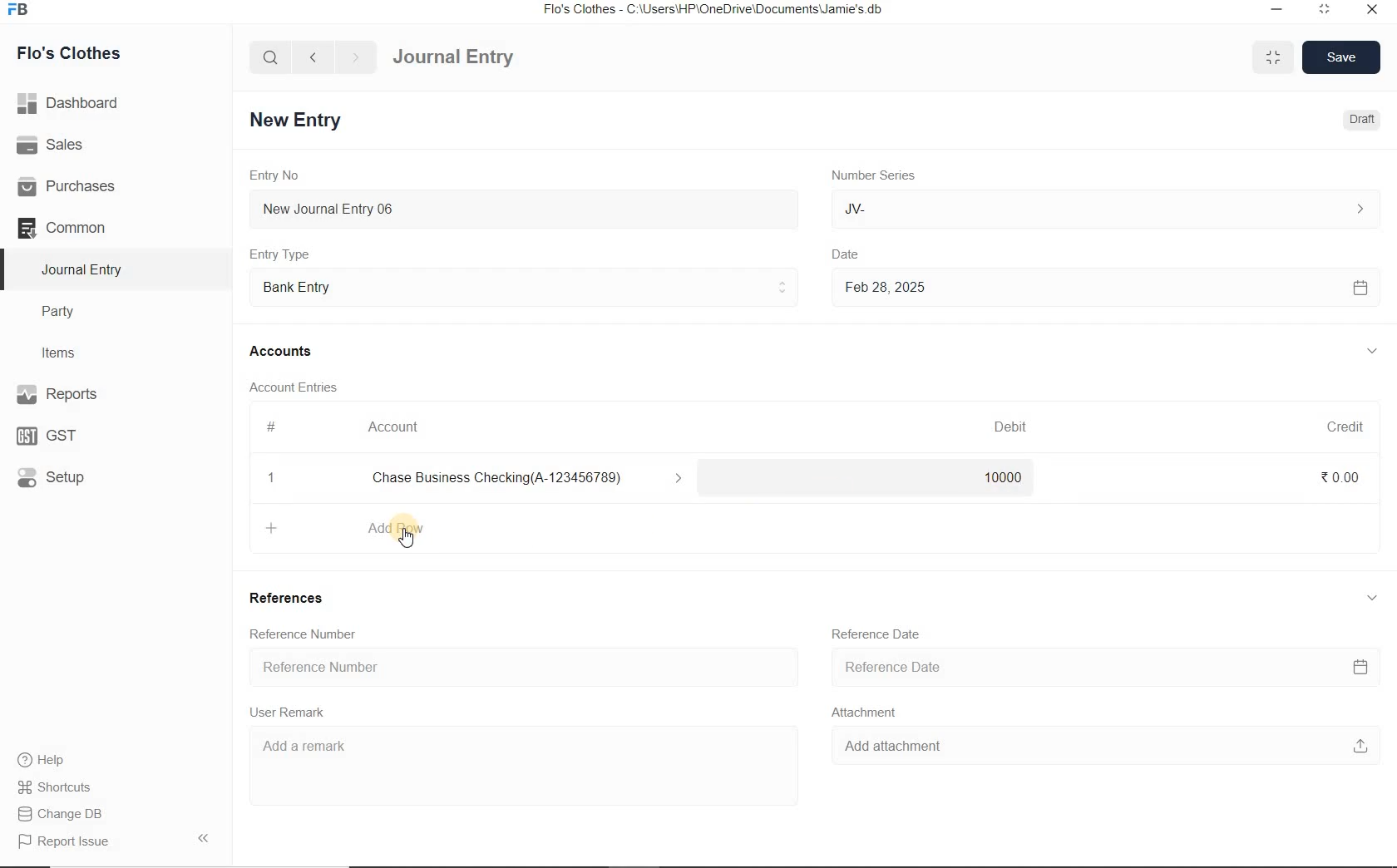 This screenshot has height=868, width=1397. What do you see at coordinates (1346, 427) in the screenshot?
I see `Credit` at bounding box center [1346, 427].